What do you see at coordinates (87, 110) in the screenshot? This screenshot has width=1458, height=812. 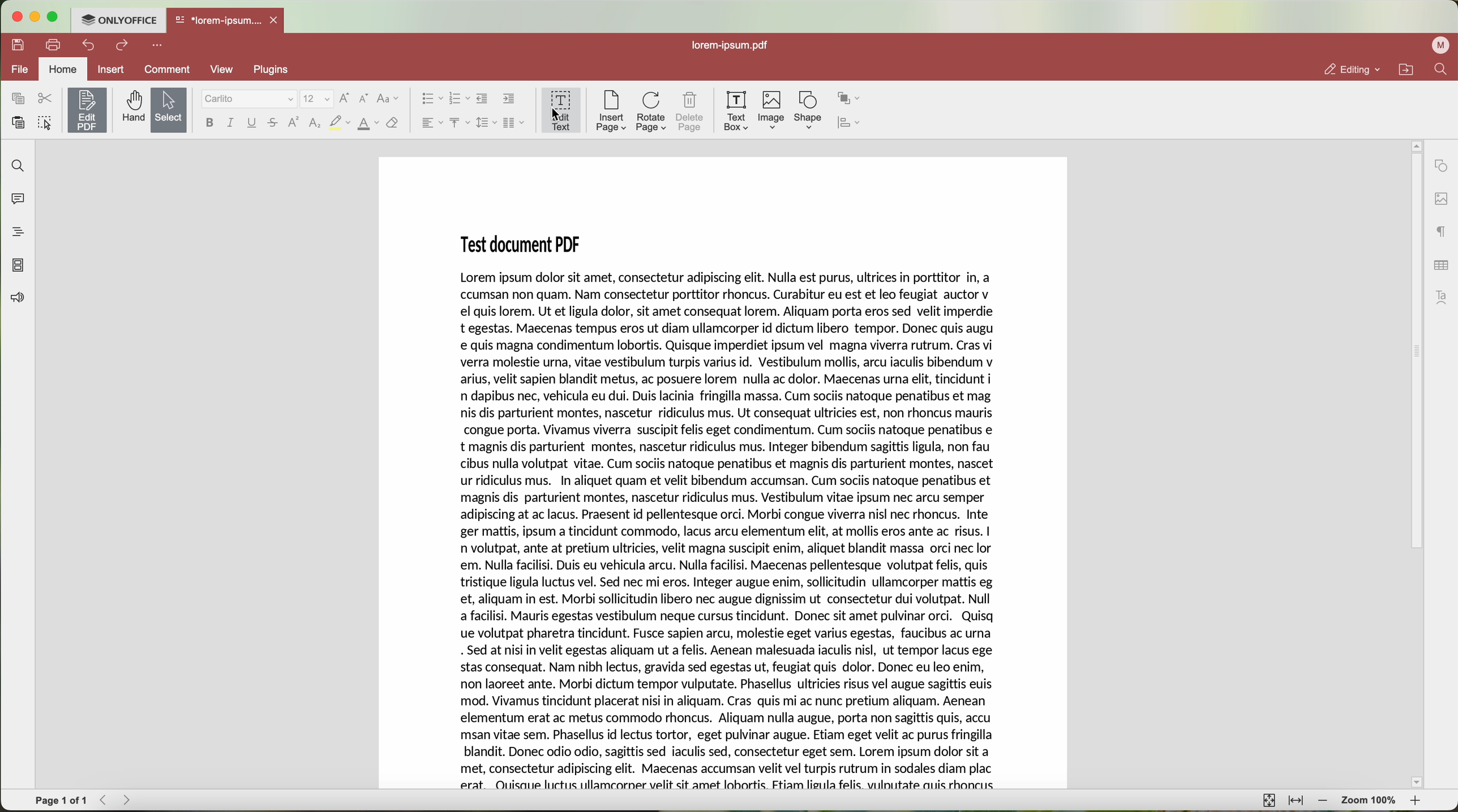 I see `edit PDF` at bounding box center [87, 110].